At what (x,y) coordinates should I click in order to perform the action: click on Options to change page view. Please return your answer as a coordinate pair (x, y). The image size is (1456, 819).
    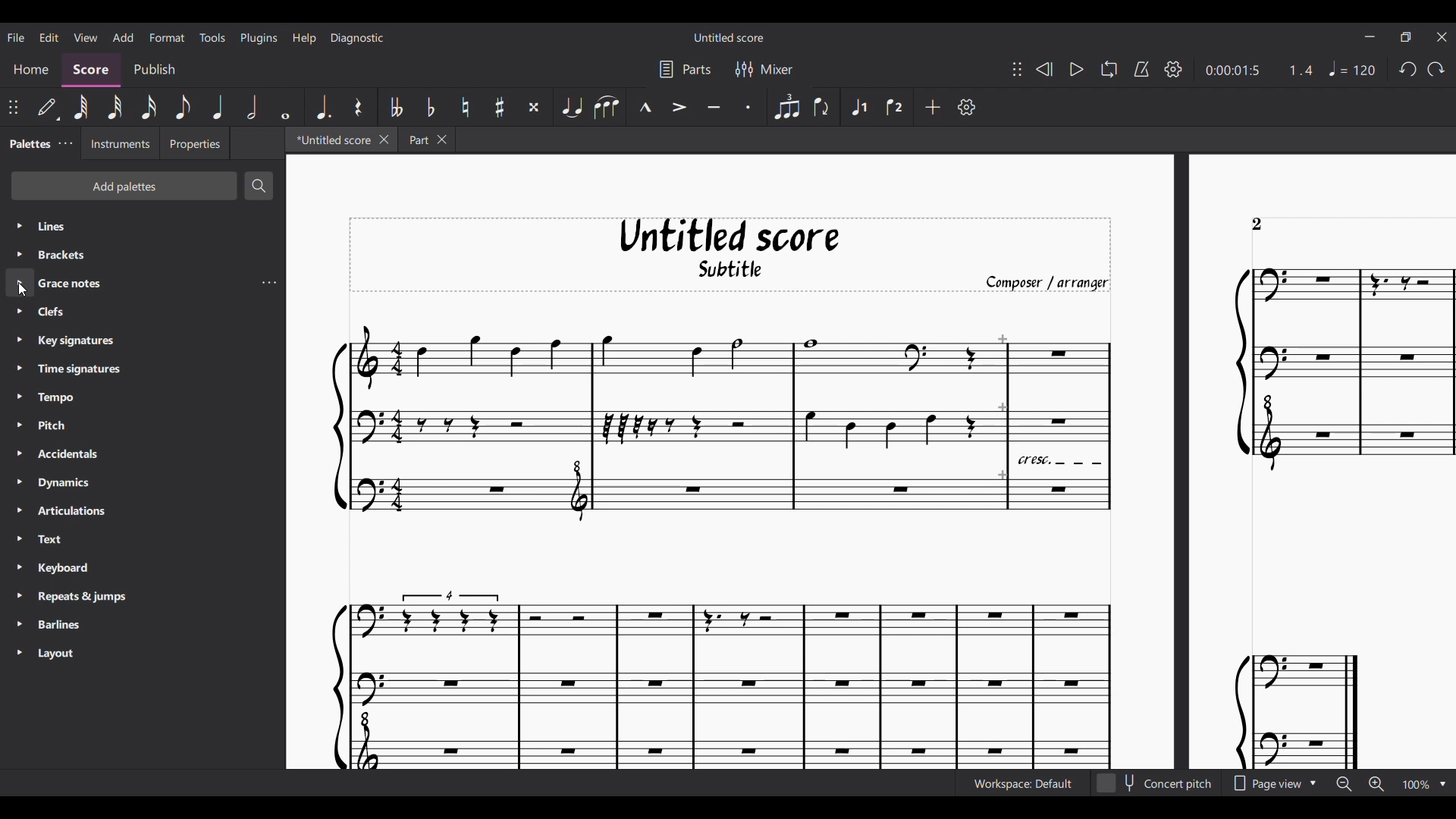
    Looking at the image, I should click on (1273, 783).